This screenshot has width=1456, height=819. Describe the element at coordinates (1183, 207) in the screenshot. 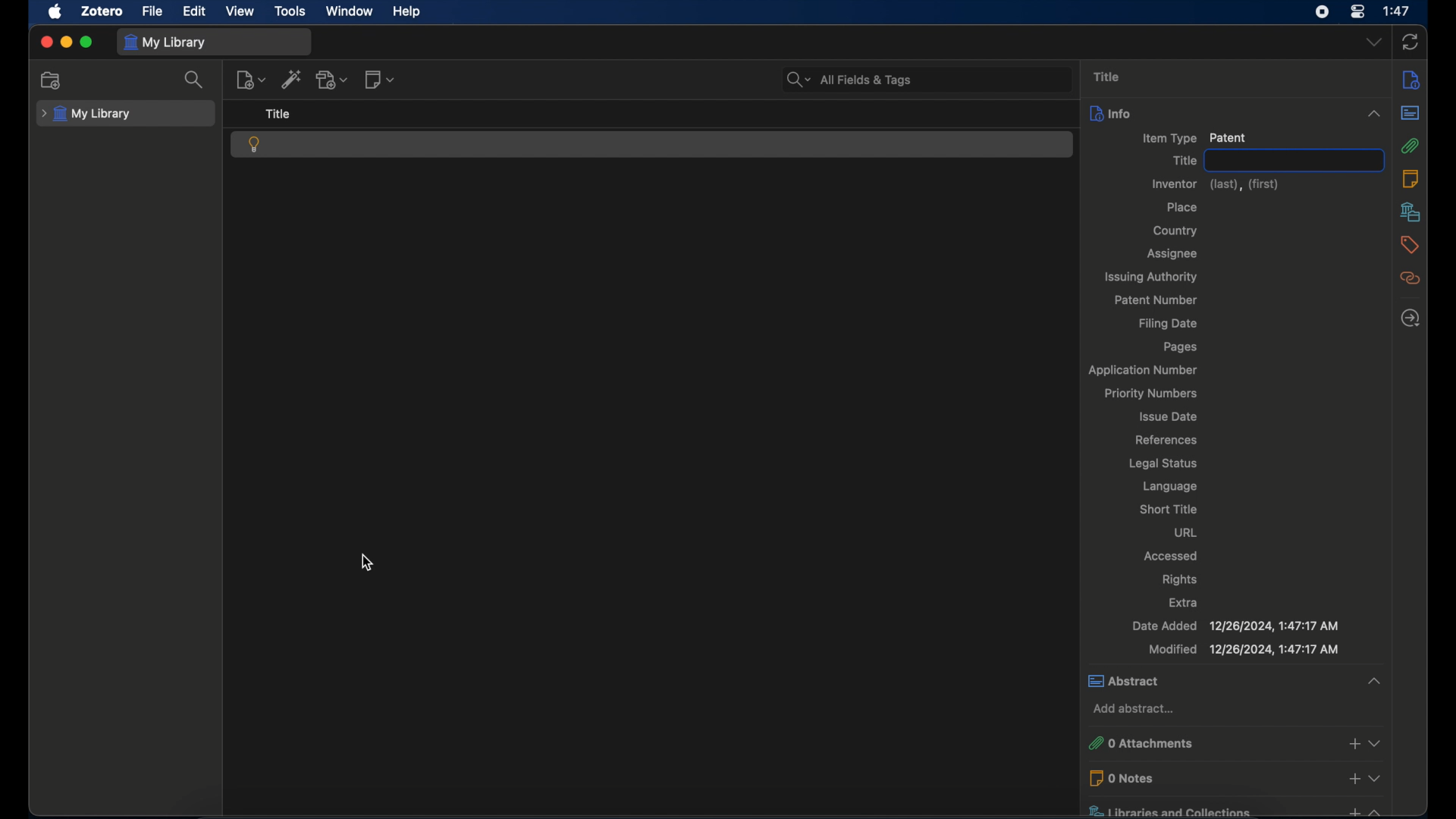

I see `place` at that location.